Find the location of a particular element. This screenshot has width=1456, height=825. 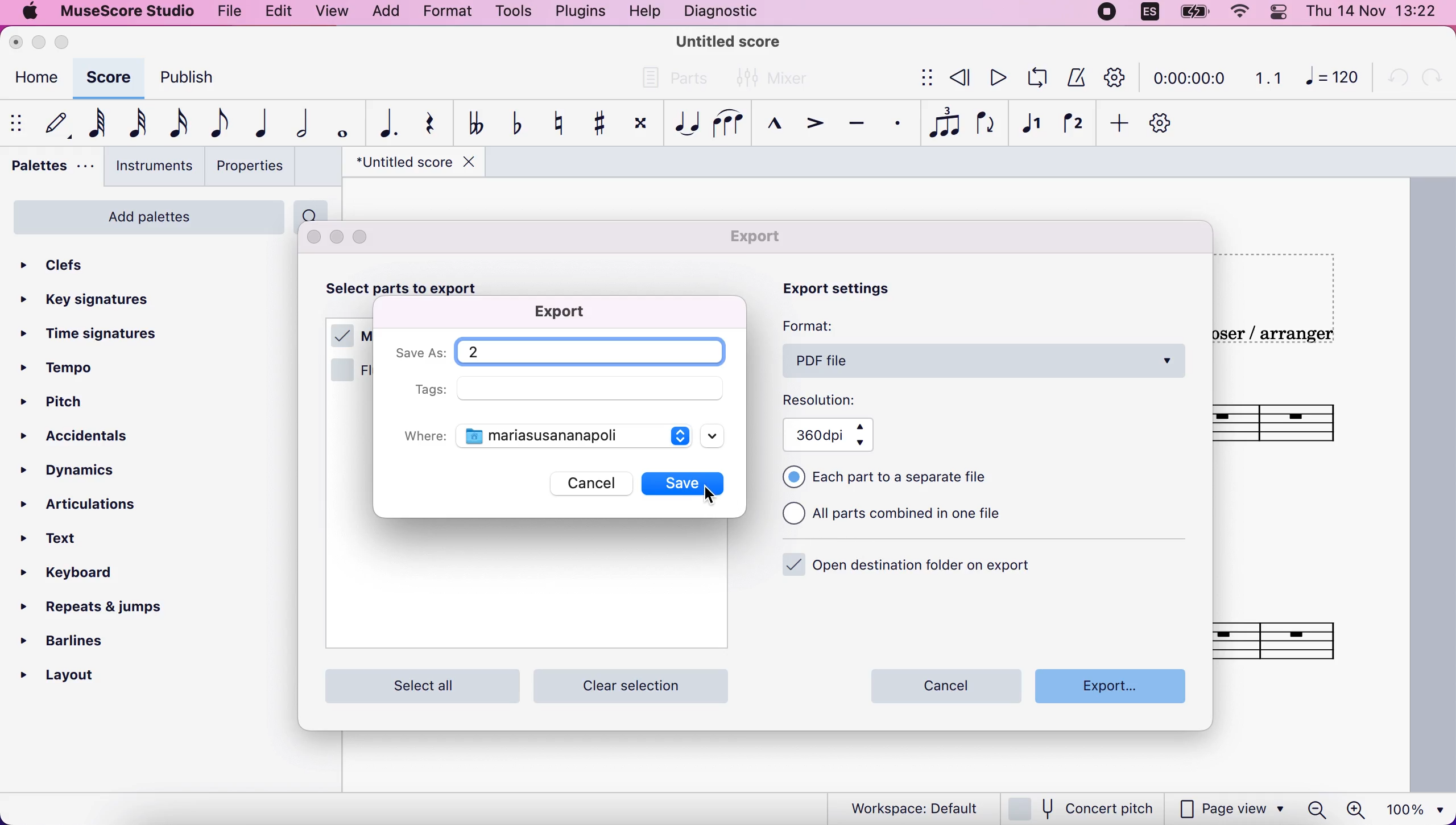

whole note is located at coordinates (340, 122).